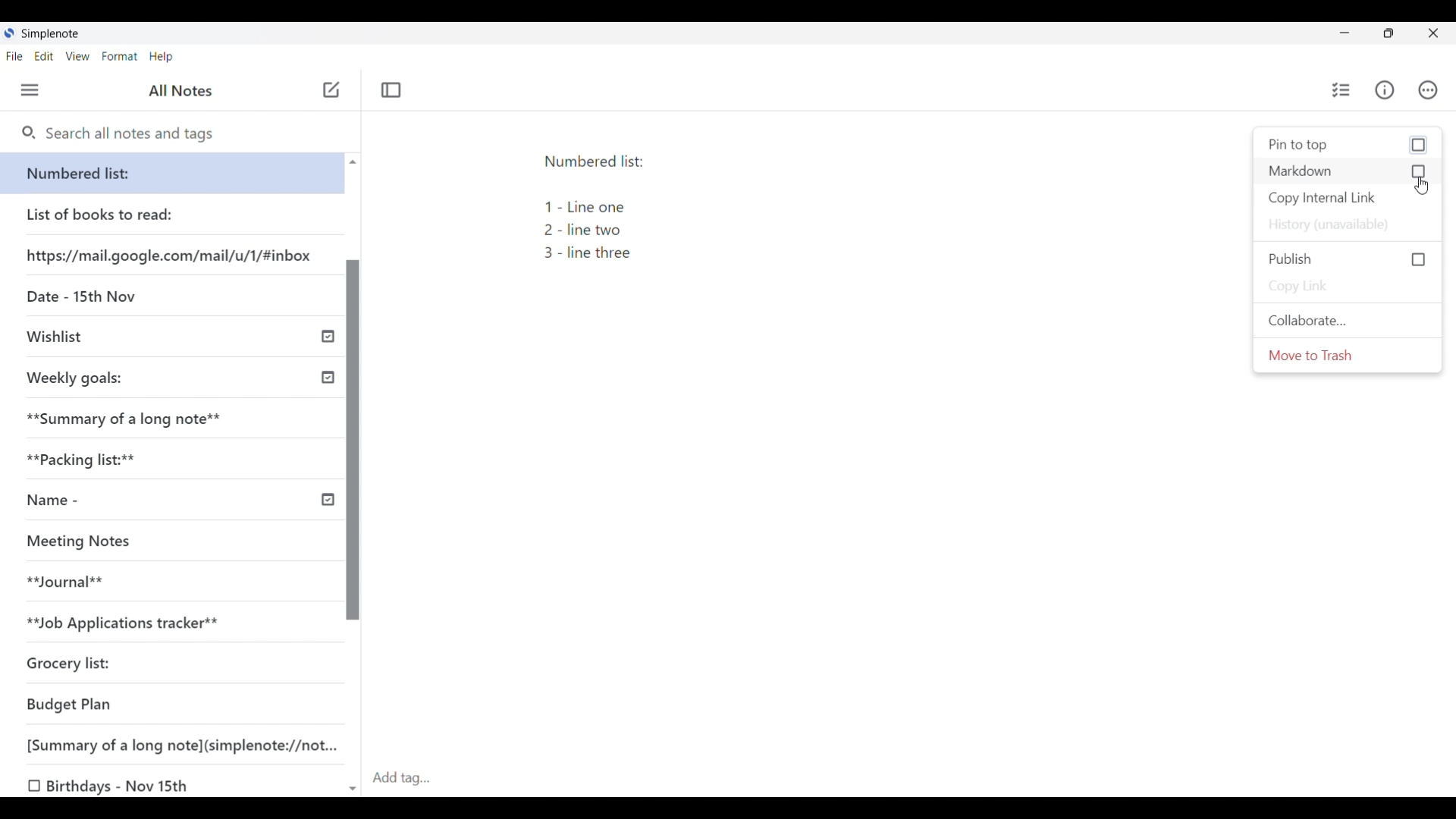  What do you see at coordinates (331, 89) in the screenshot?
I see `Add note` at bounding box center [331, 89].